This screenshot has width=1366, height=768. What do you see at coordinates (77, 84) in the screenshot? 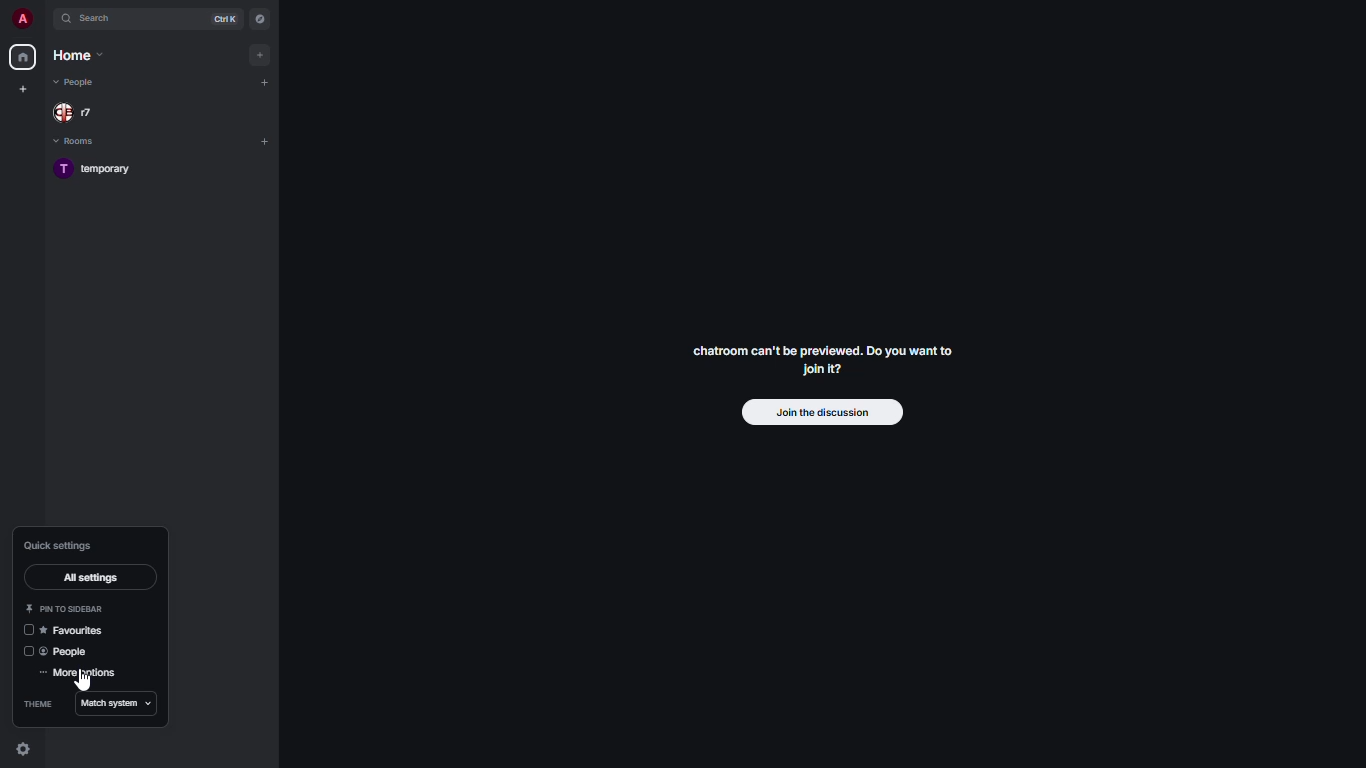
I see `people` at bounding box center [77, 84].